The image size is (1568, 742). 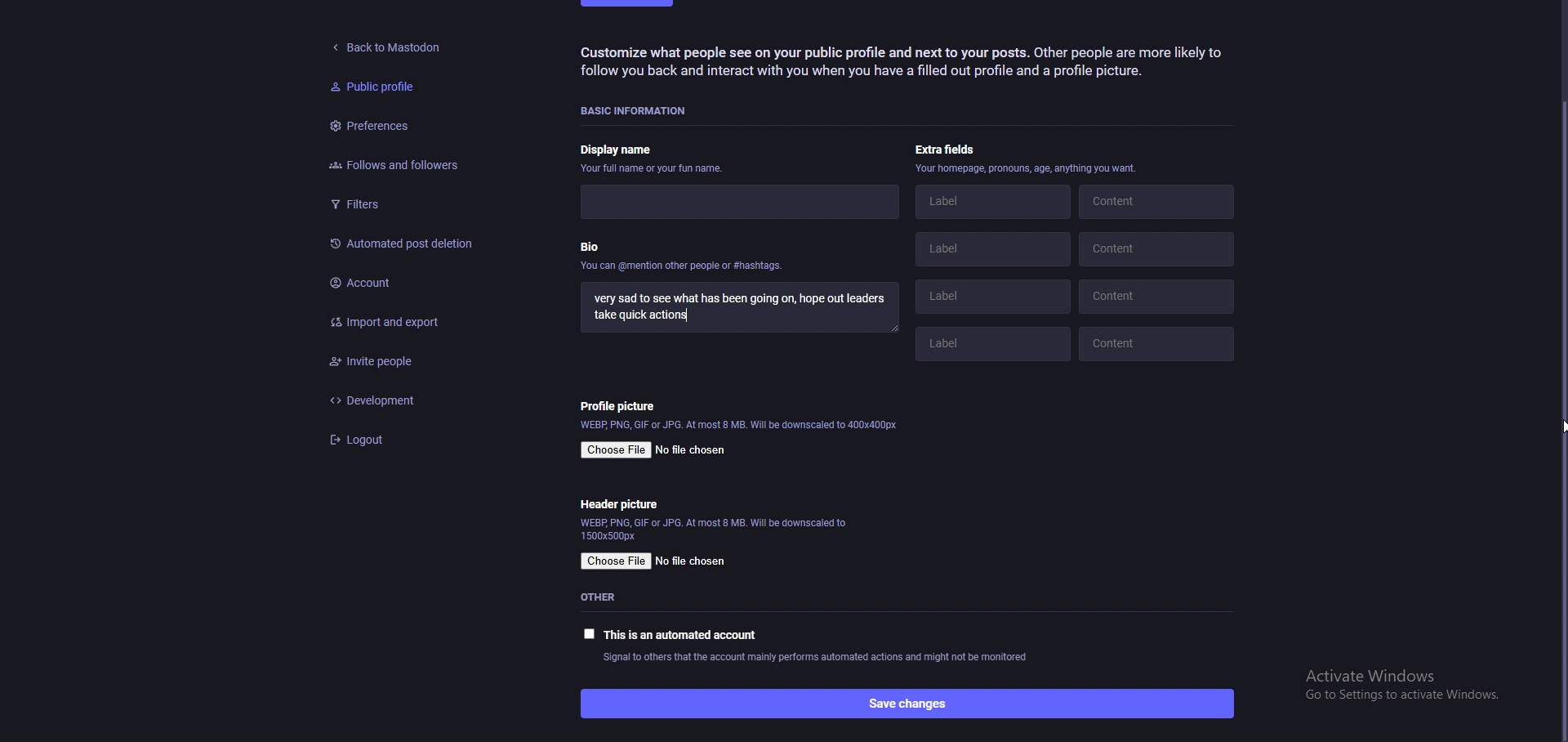 I want to click on your full name or fun name, so click(x=657, y=169).